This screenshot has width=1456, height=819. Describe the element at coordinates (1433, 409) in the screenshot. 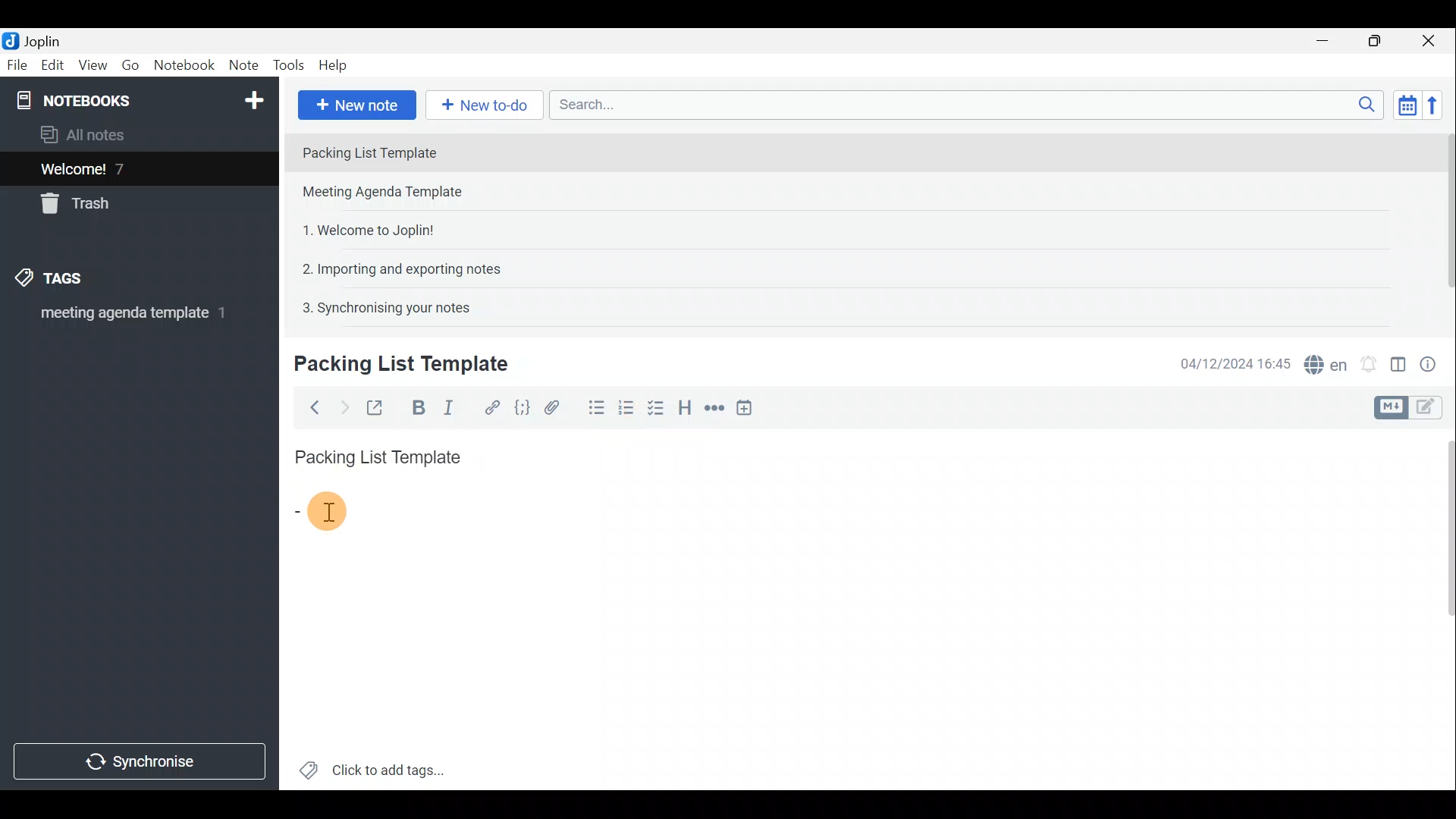

I see `Toggle editors` at that location.